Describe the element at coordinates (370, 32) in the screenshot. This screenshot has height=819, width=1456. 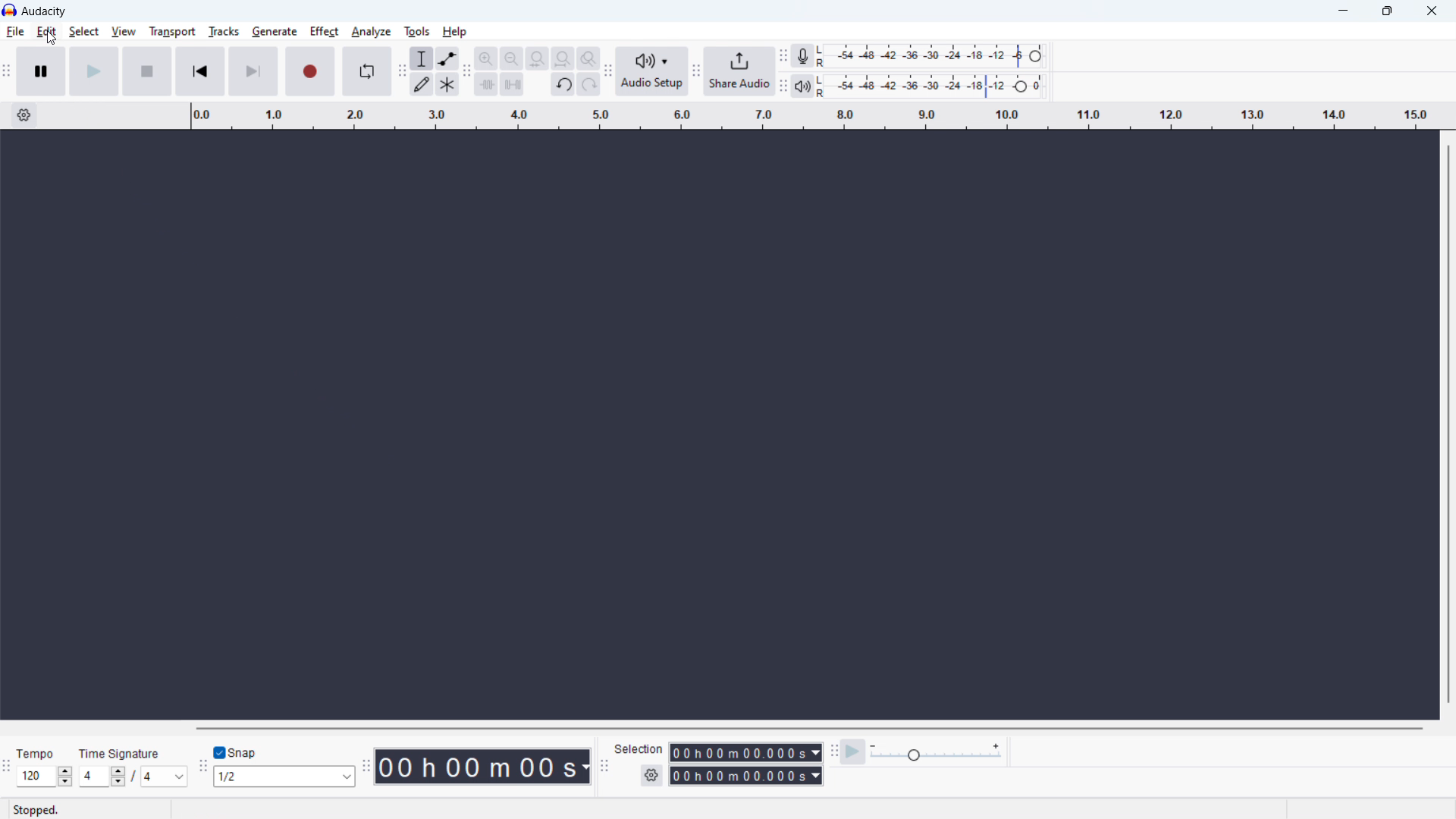
I see `analyze` at that location.